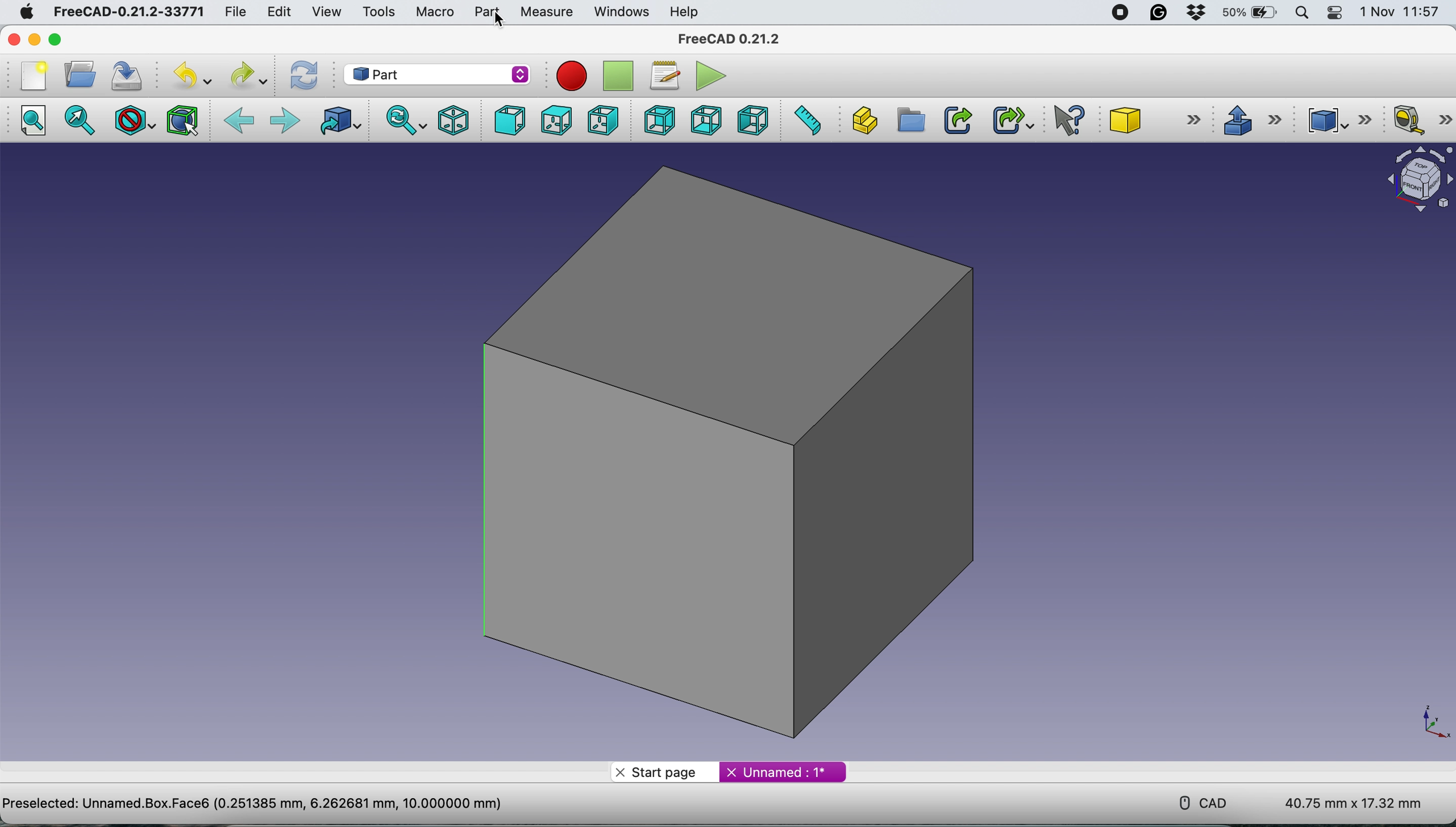 This screenshot has height=827, width=1456. Describe the element at coordinates (1248, 118) in the screenshot. I see `extrude` at that location.